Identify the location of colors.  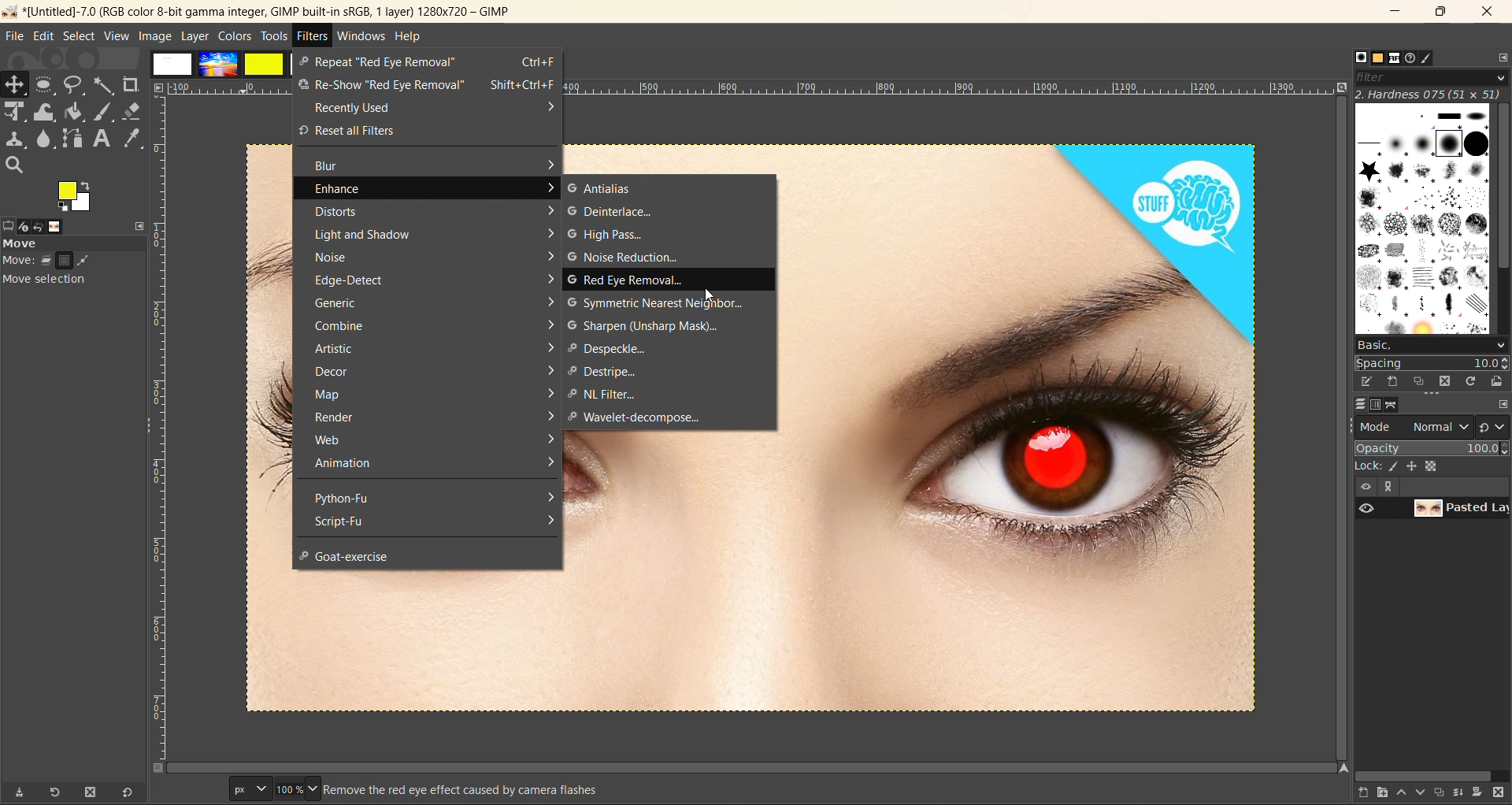
(234, 38).